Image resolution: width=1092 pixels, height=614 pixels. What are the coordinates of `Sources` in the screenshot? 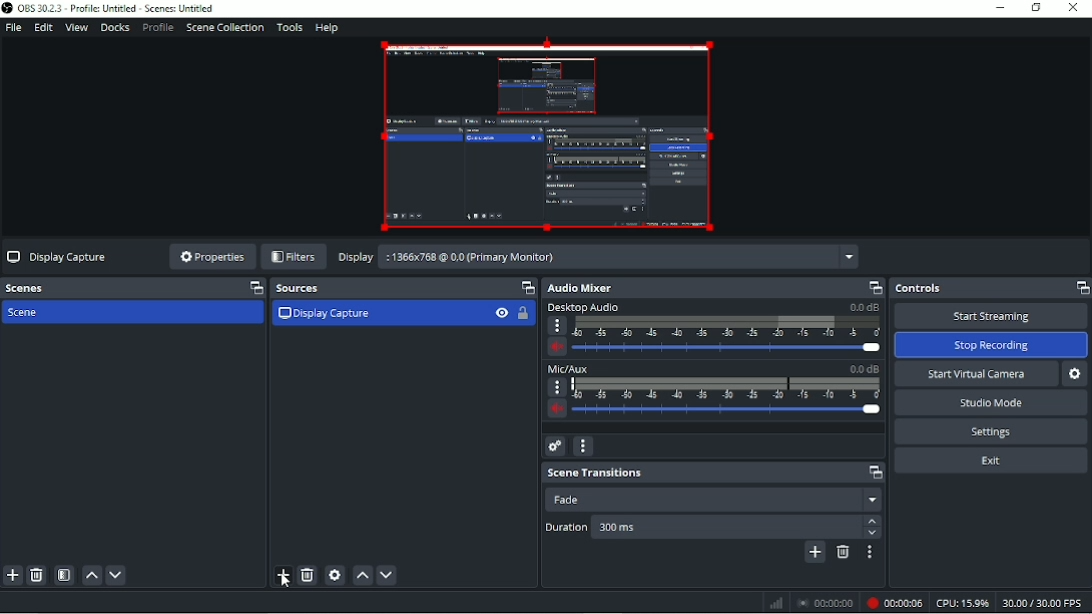 It's located at (403, 288).